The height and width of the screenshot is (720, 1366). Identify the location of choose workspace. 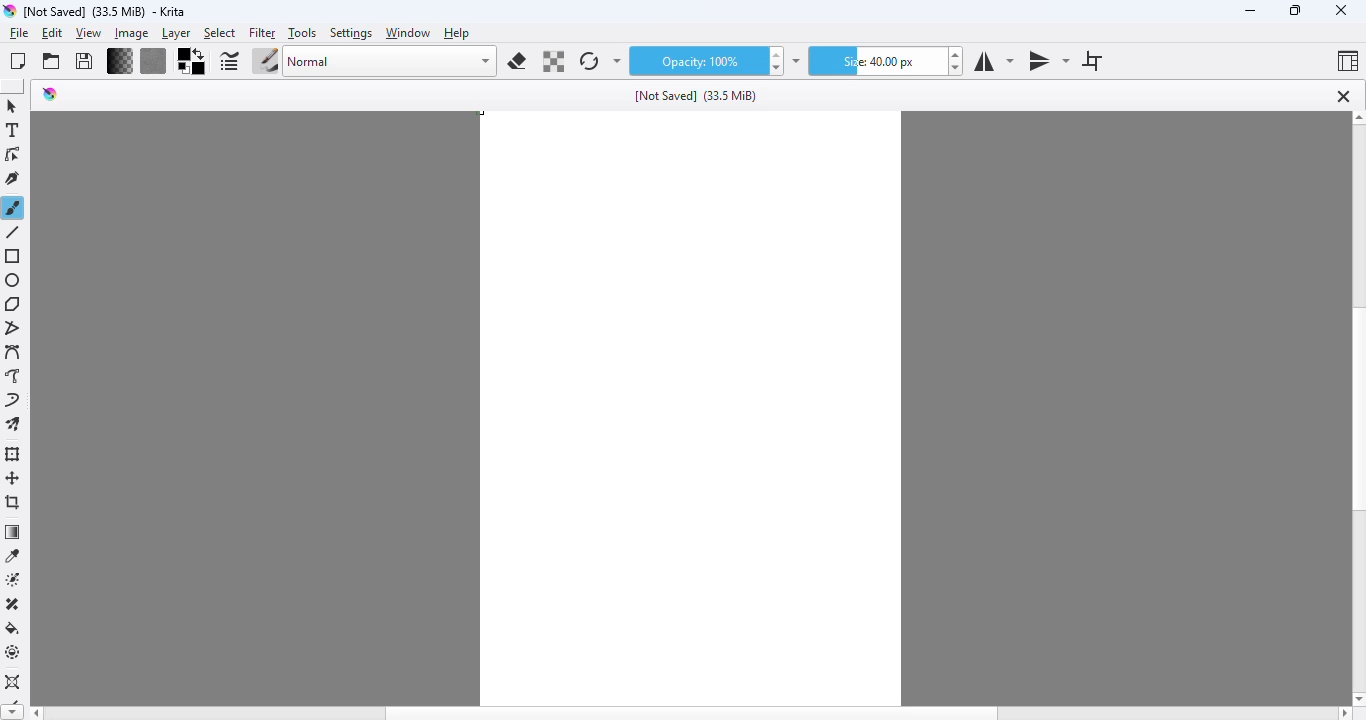
(1348, 61).